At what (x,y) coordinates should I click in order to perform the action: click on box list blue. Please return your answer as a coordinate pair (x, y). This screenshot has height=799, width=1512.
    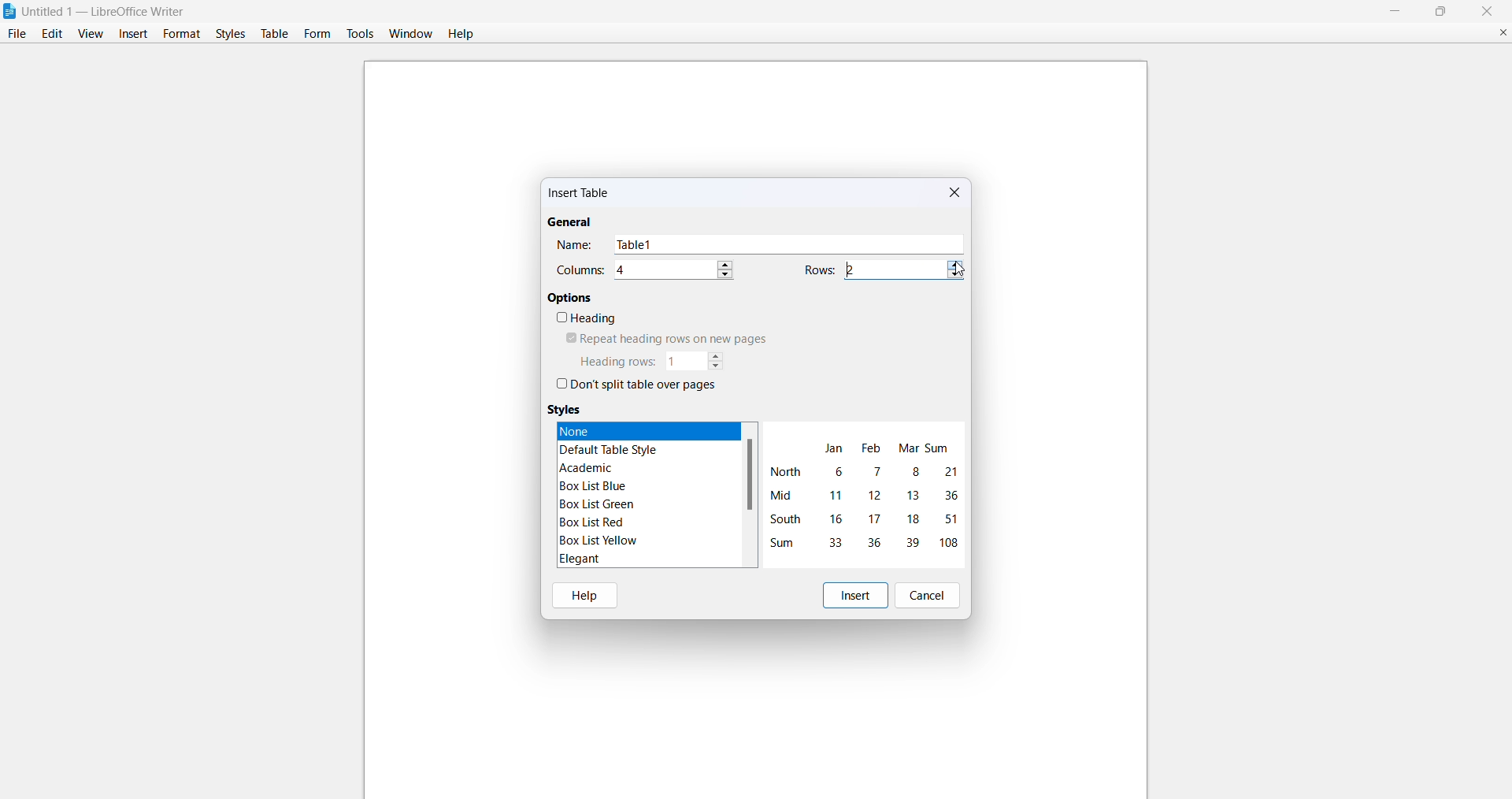
    Looking at the image, I should click on (595, 486).